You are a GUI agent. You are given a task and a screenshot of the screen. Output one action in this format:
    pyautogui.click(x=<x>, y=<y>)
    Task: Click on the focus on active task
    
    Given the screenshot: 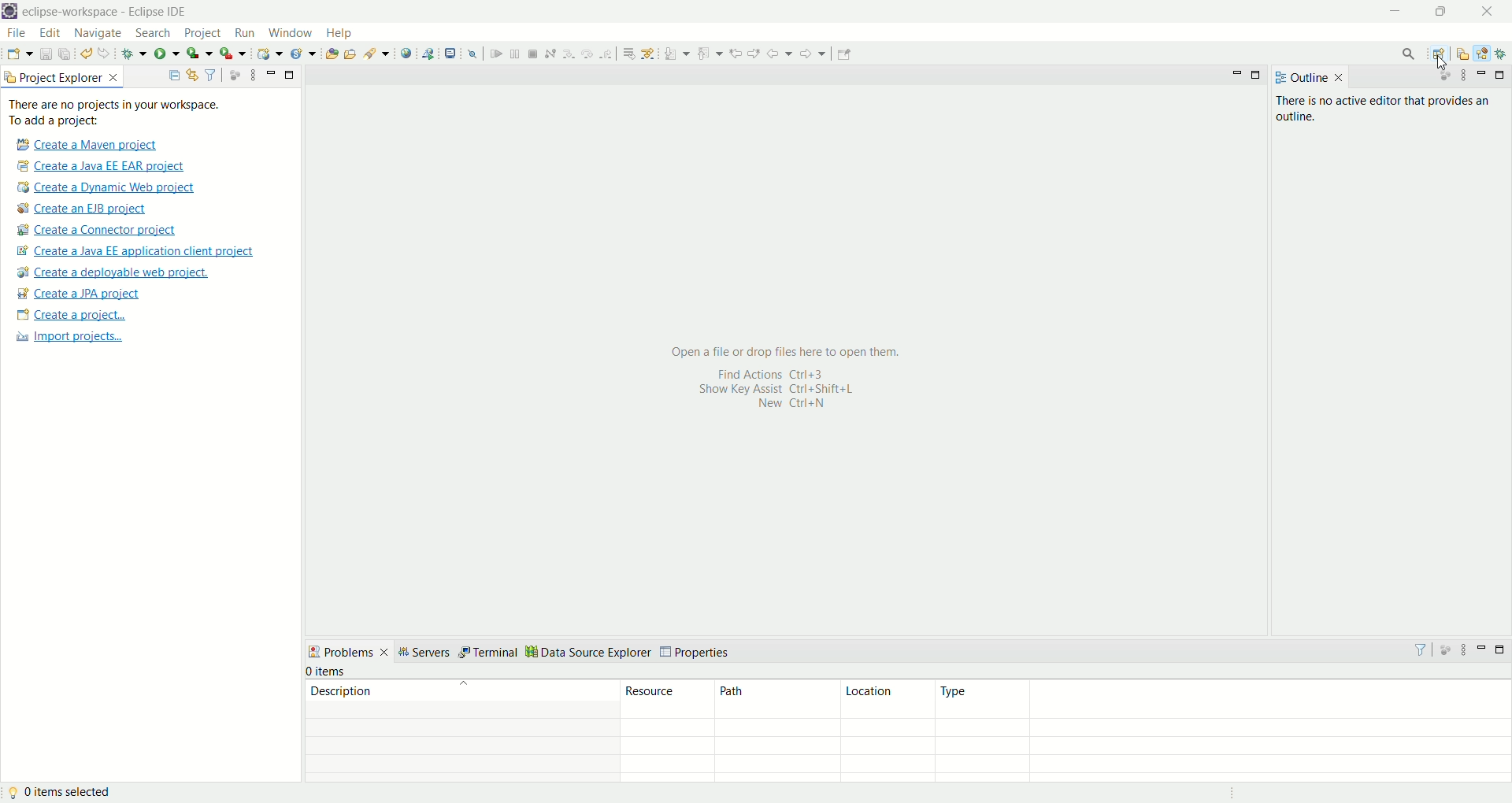 What is the action you would take?
    pyautogui.click(x=234, y=76)
    